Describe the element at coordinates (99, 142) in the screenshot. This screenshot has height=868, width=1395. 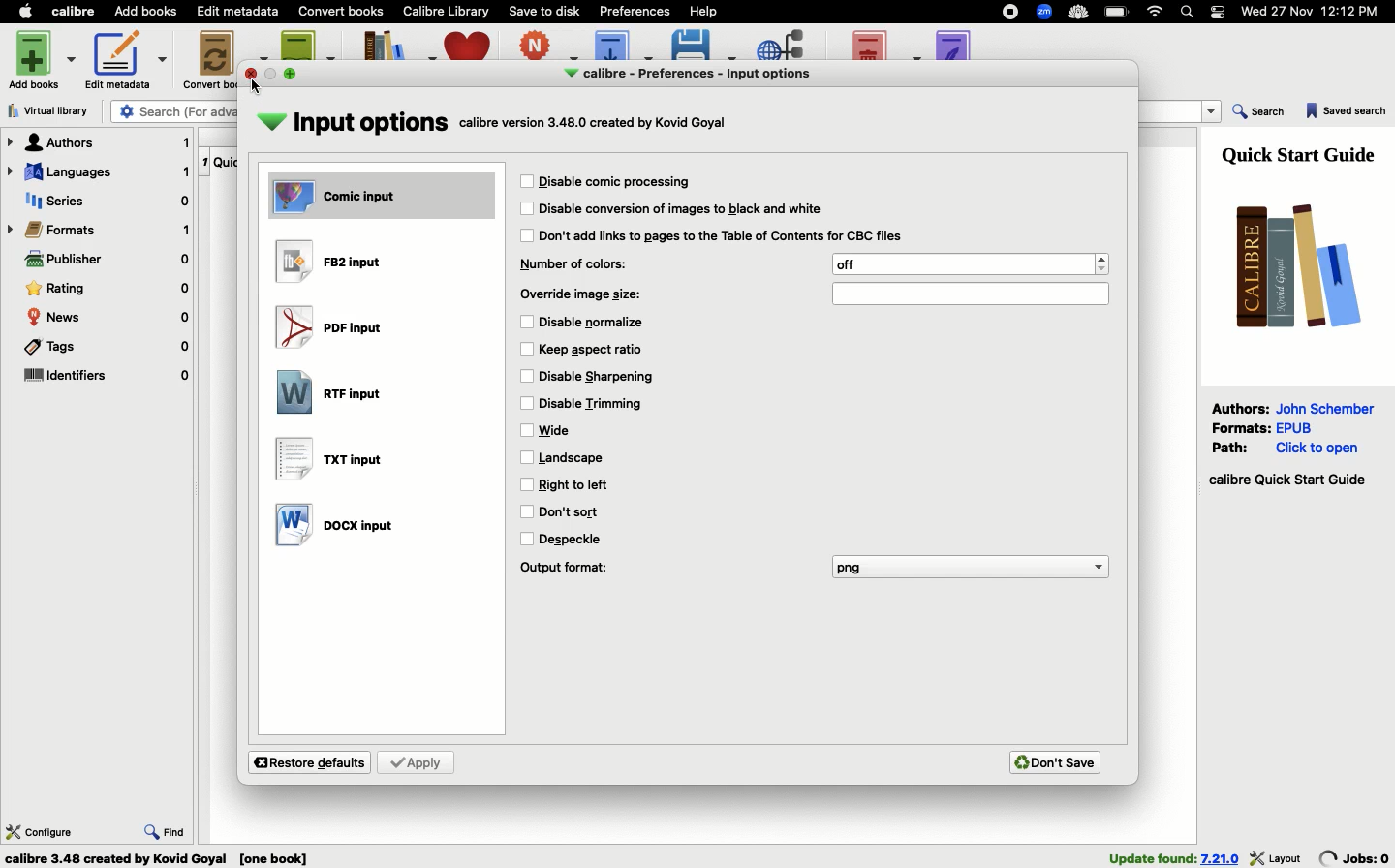
I see `Authors` at that location.